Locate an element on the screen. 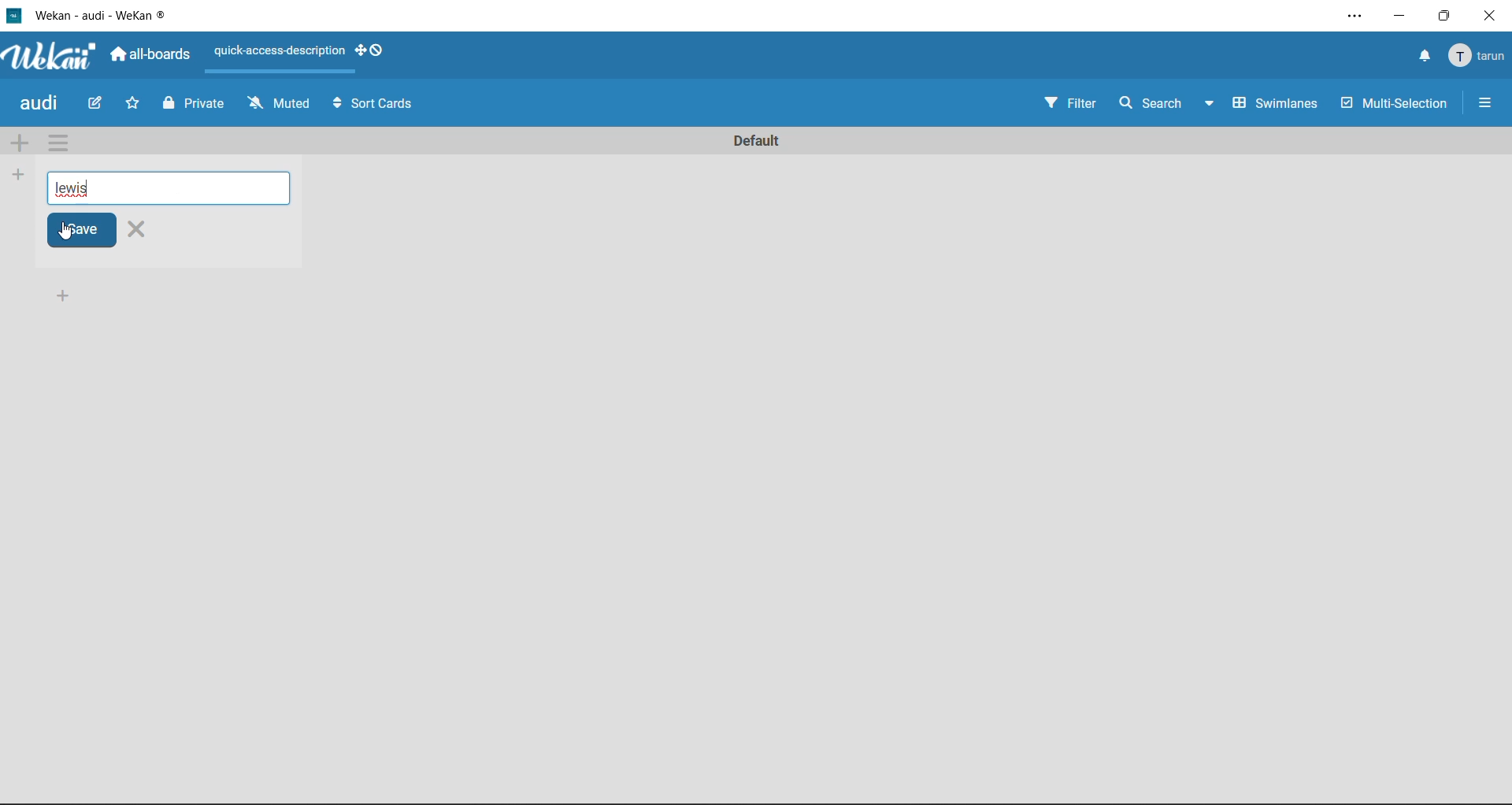 The width and height of the screenshot is (1512, 805). cursor is located at coordinates (65, 231).